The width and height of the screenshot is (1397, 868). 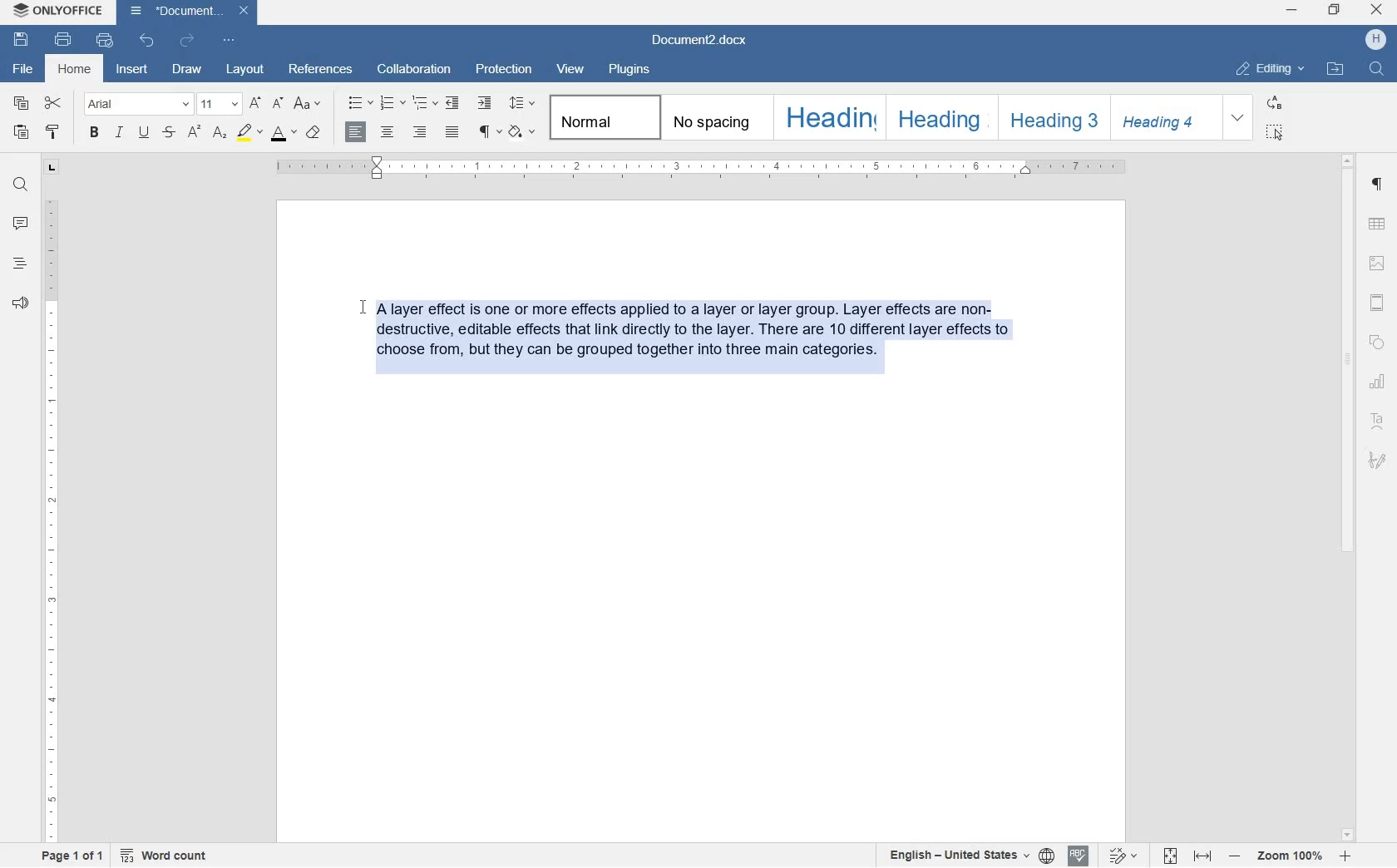 What do you see at coordinates (146, 133) in the screenshot?
I see `underline` at bounding box center [146, 133].